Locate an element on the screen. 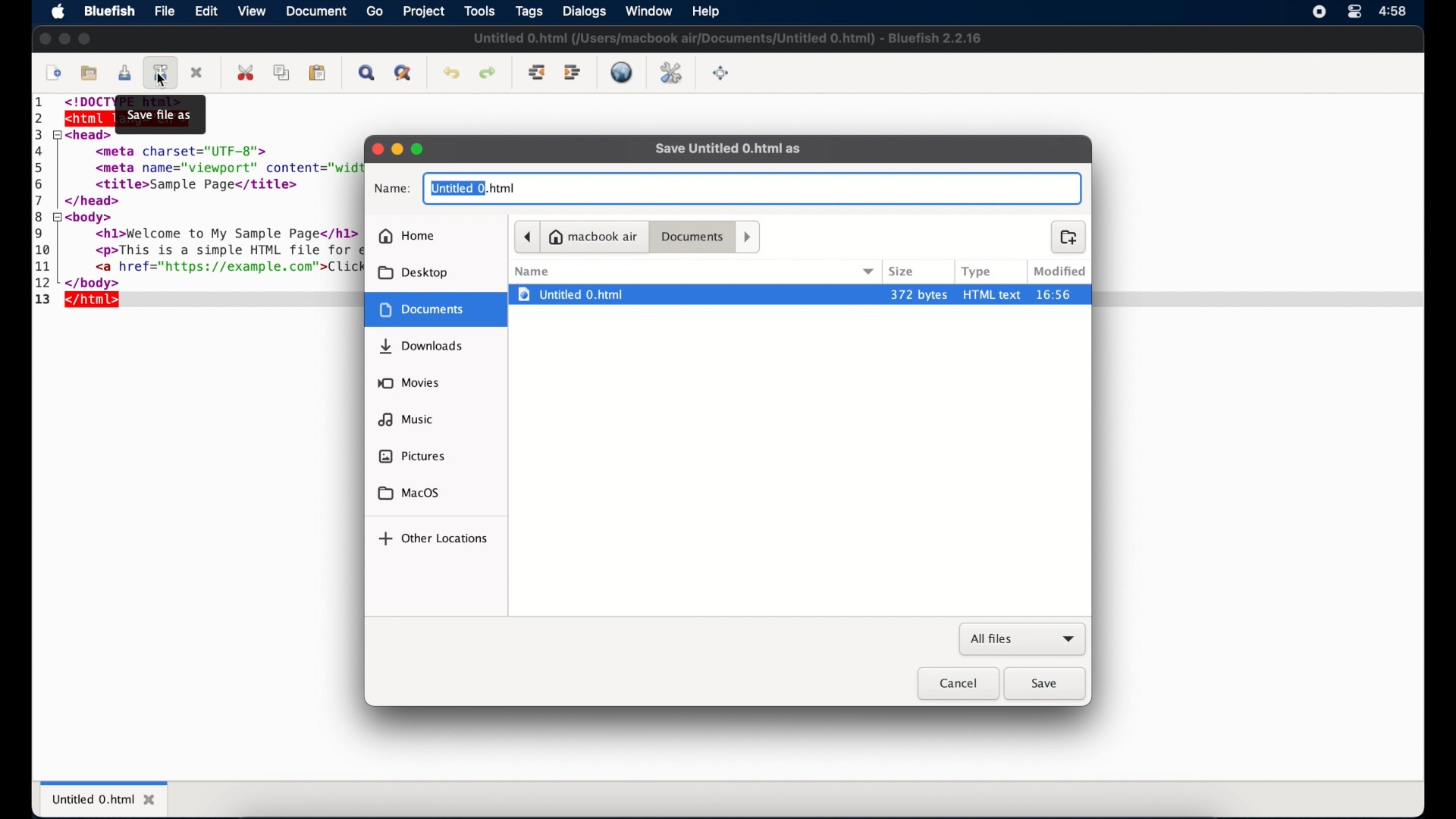 The height and width of the screenshot is (819, 1456). unindent is located at coordinates (538, 72).